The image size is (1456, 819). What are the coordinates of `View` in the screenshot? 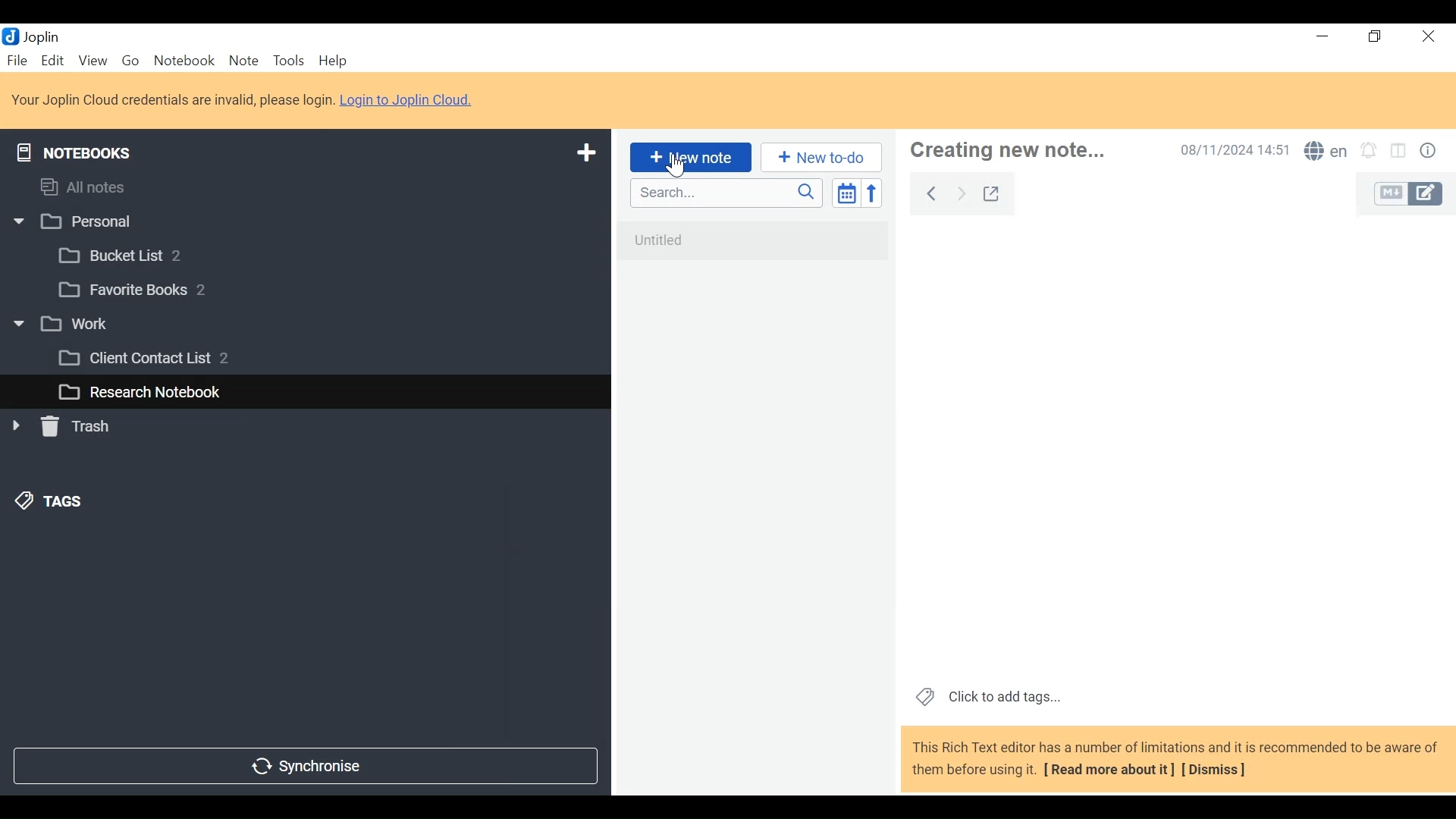 It's located at (93, 60).